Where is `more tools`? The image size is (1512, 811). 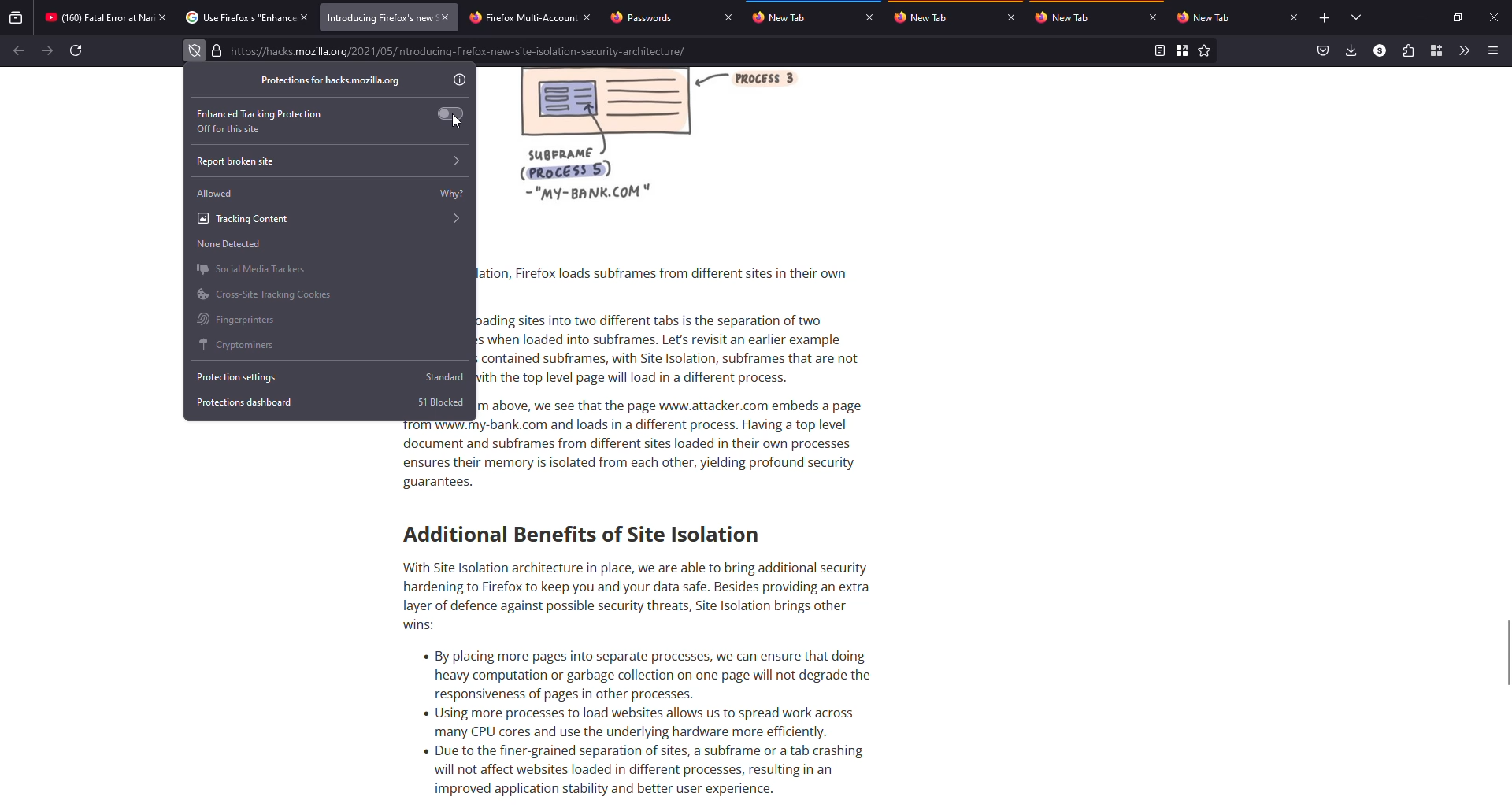
more tools is located at coordinates (1465, 51).